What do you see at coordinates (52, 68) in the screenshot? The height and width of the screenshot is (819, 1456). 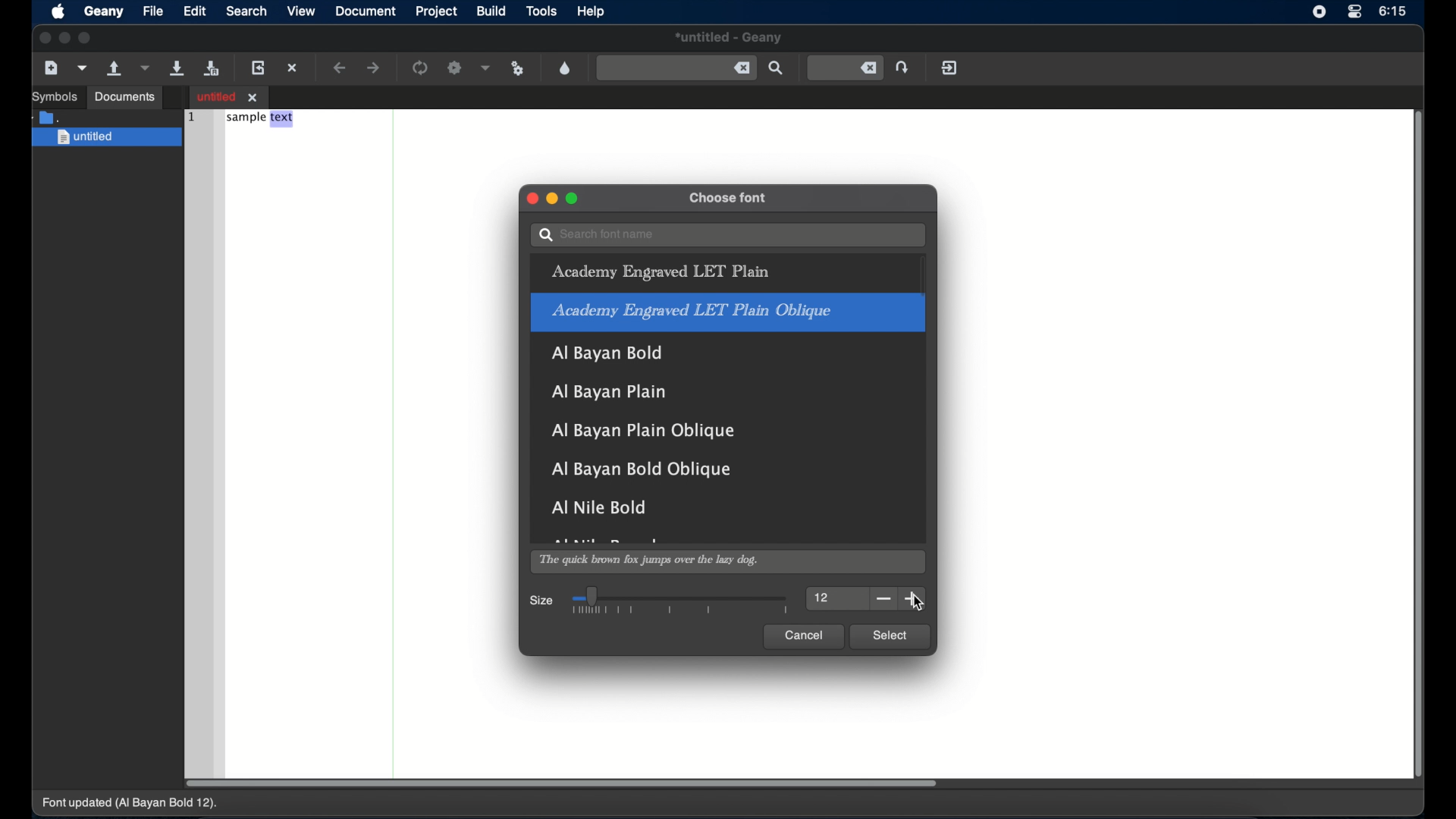 I see `create a new file` at bounding box center [52, 68].